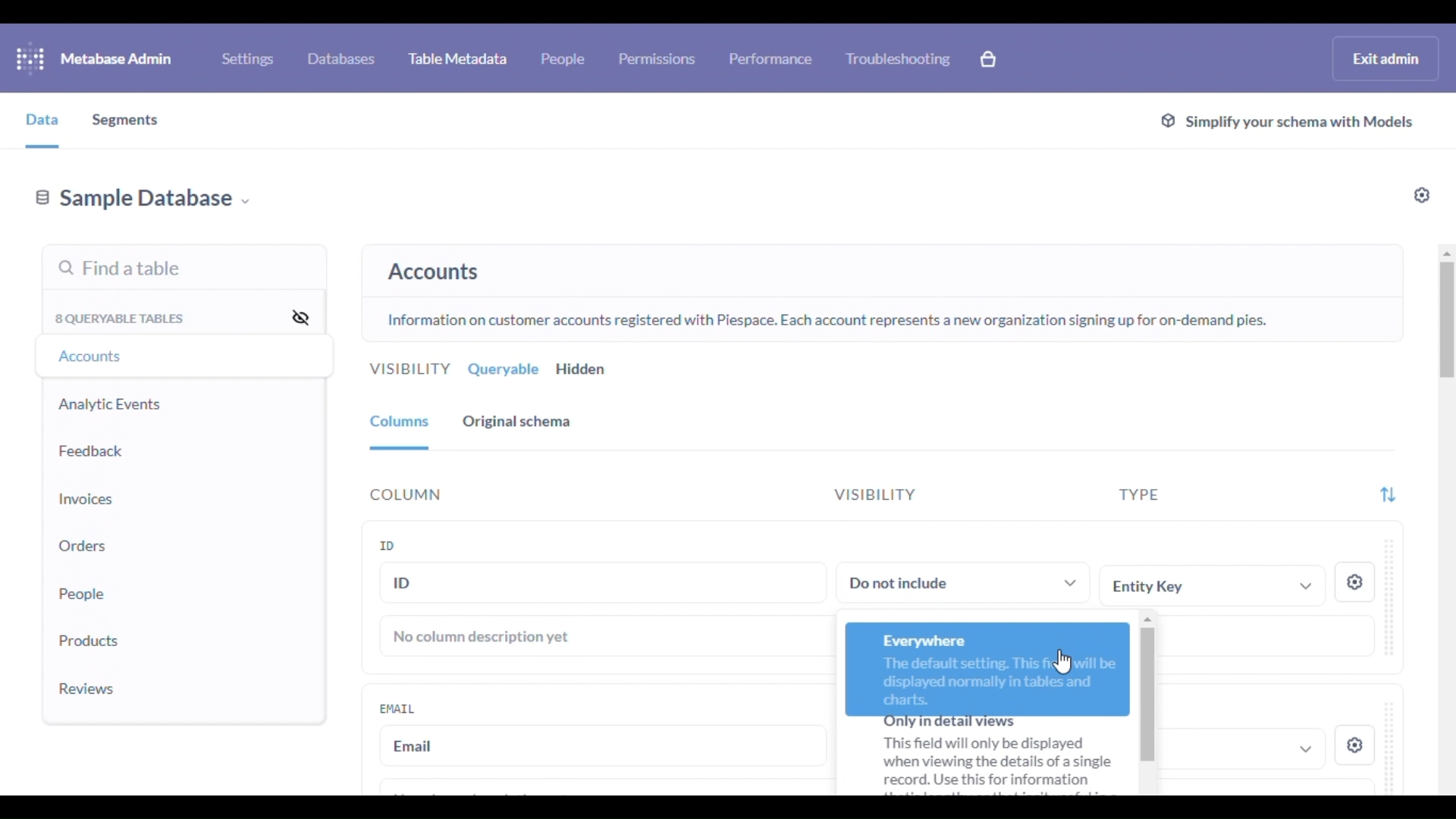 Image resolution: width=1456 pixels, height=819 pixels. What do you see at coordinates (563, 58) in the screenshot?
I see `people` at bounding box center [563, 58].